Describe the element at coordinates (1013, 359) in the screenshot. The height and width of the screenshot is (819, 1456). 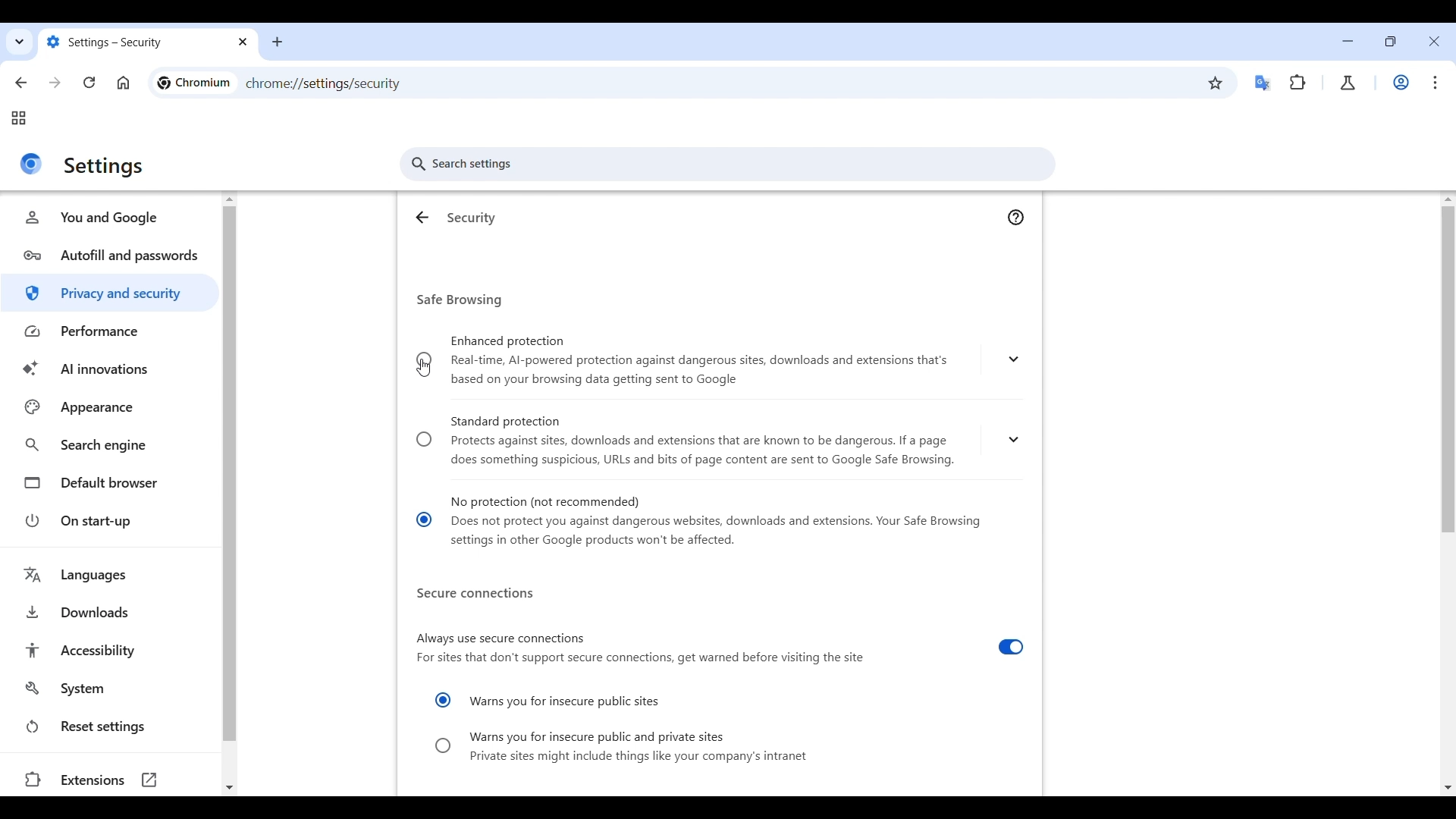
I see `Expand to see description of Enhanced protection` at that location.